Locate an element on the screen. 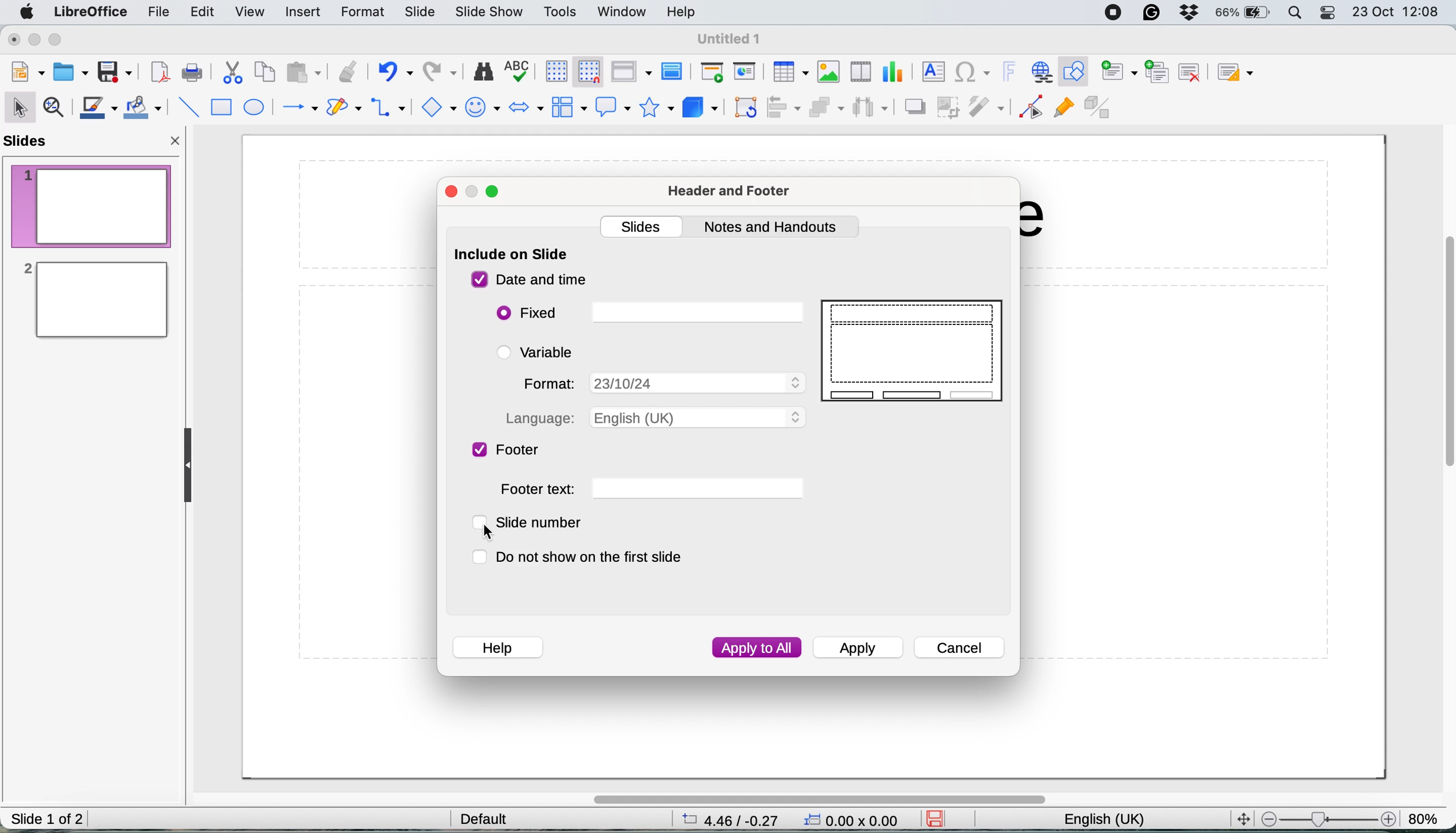 The width and height of the screenshot is (1456, 833). dropbox is located at coordinates (1190, 14).